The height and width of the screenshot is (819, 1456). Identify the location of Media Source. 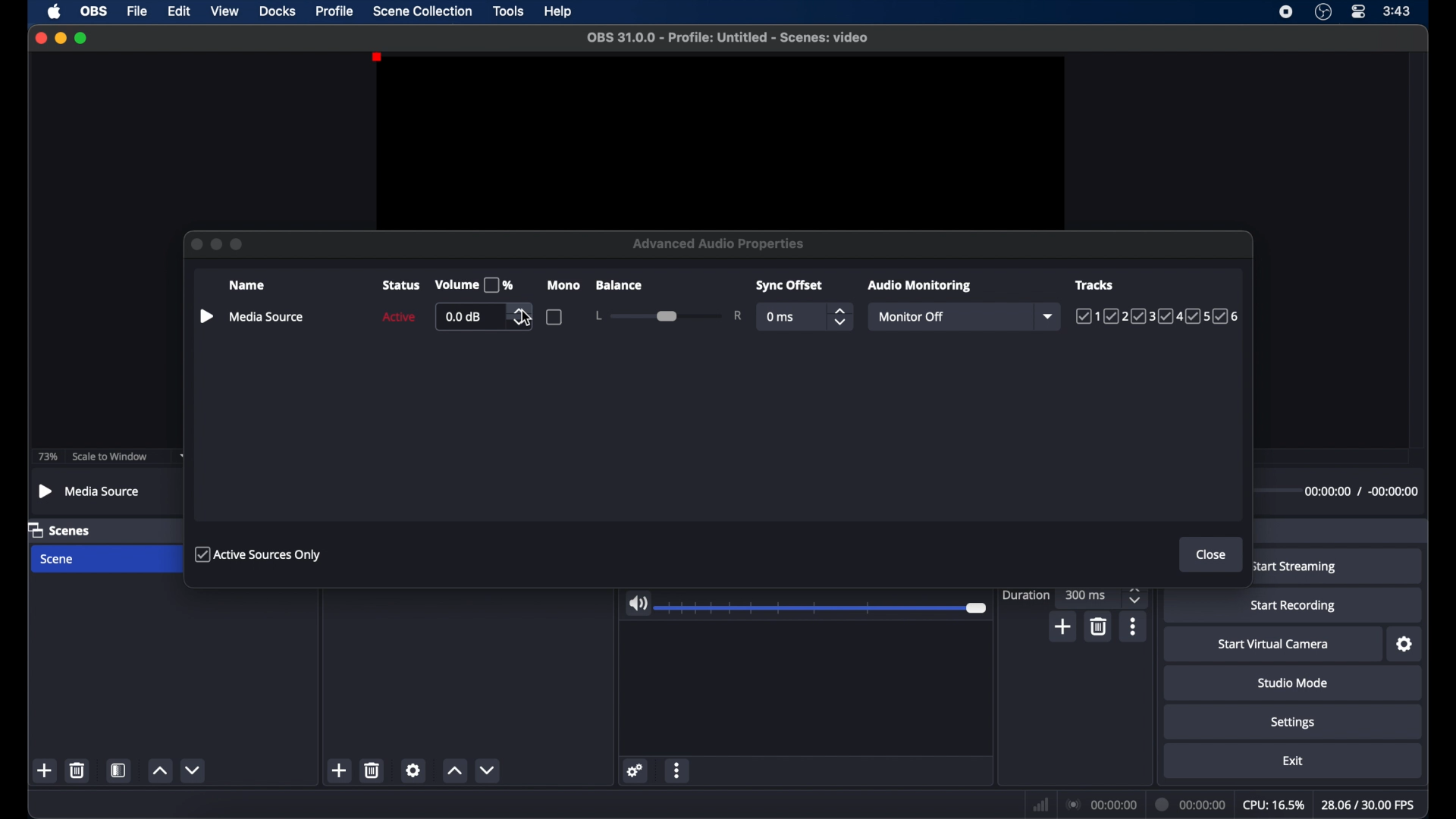
(90, 492).